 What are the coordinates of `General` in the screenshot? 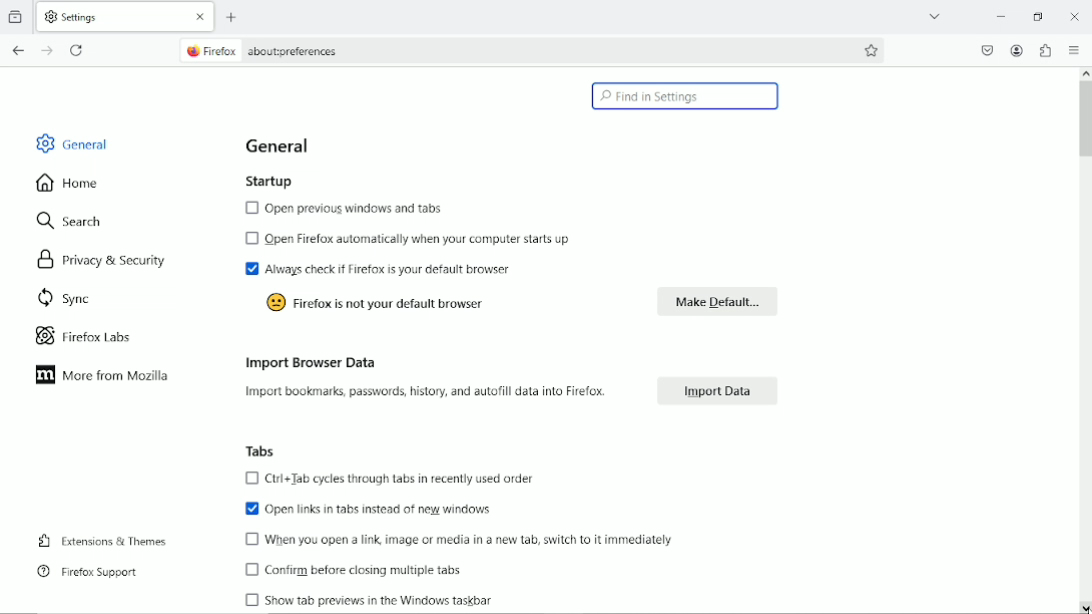 It's located at (72, 142).